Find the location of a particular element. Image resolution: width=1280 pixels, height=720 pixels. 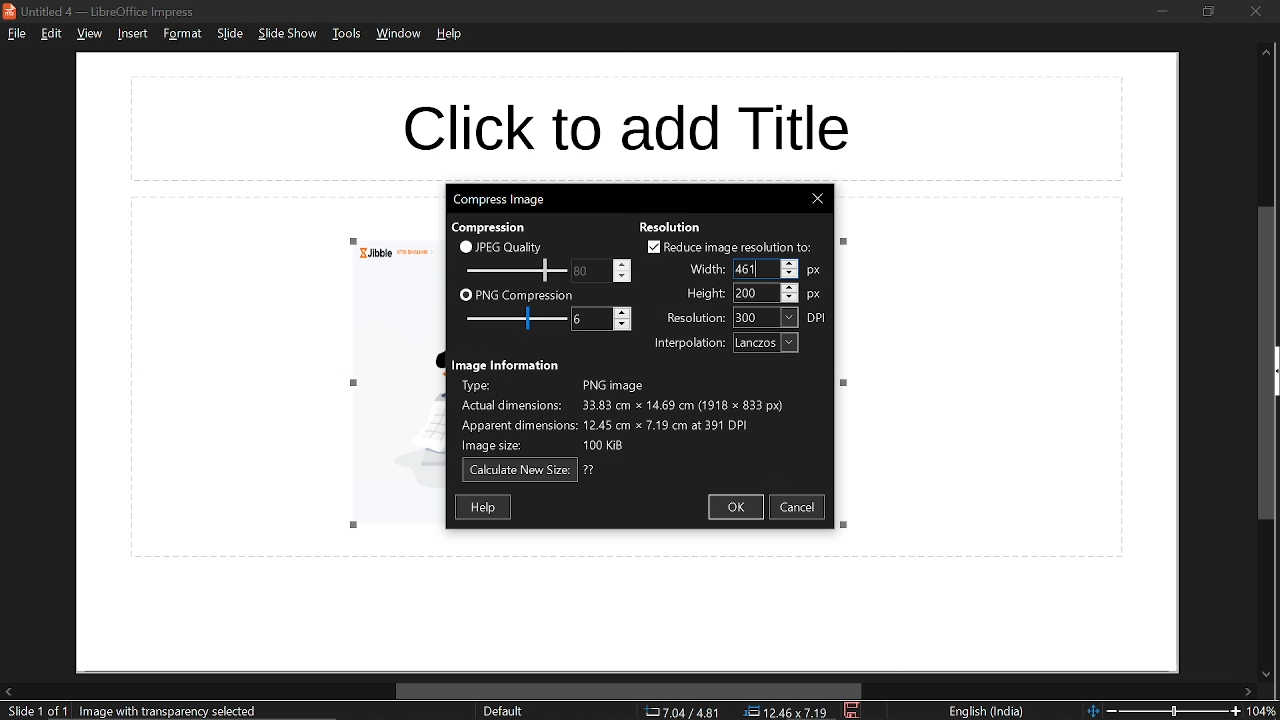

resolution is located at coordinates (766, 318).